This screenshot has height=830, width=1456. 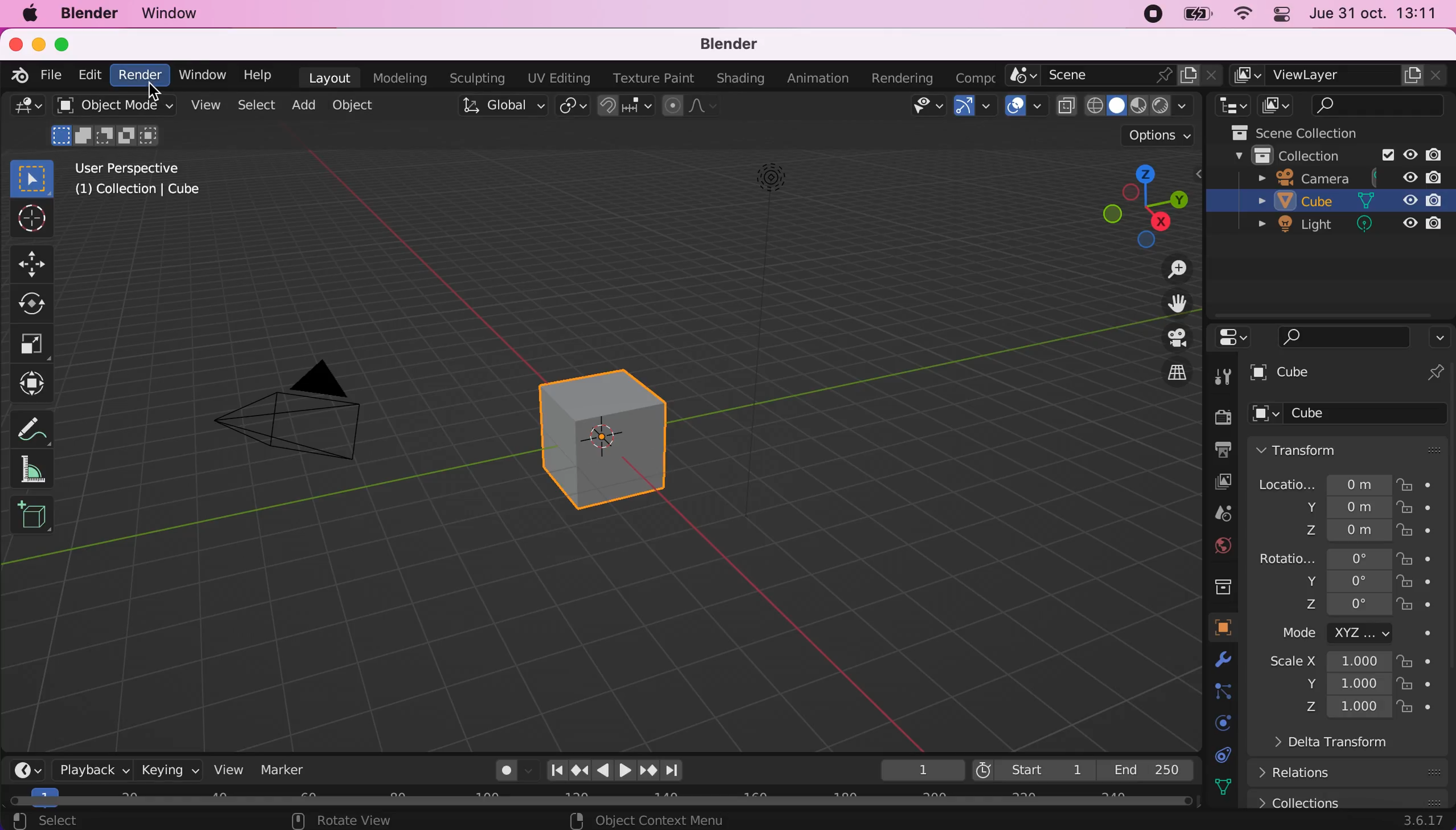 I want to click on jump to next keyframe, so click(x=647, y=770).